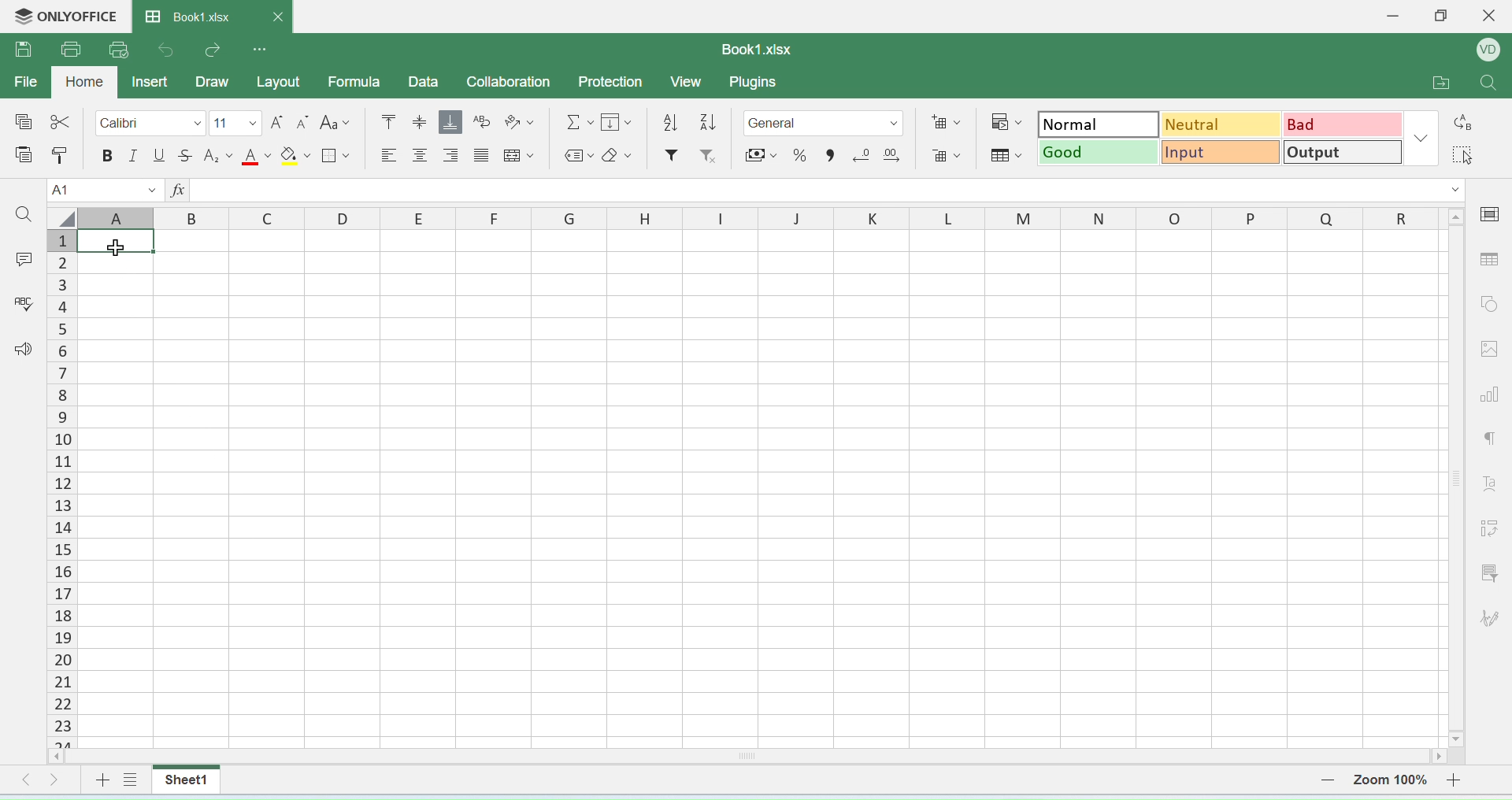 This screenshot has height=800, width=1512. What do you see at coordinates (1397, 20) in the screenshot?
I see `minimise` at bounding box center [1397, 20].